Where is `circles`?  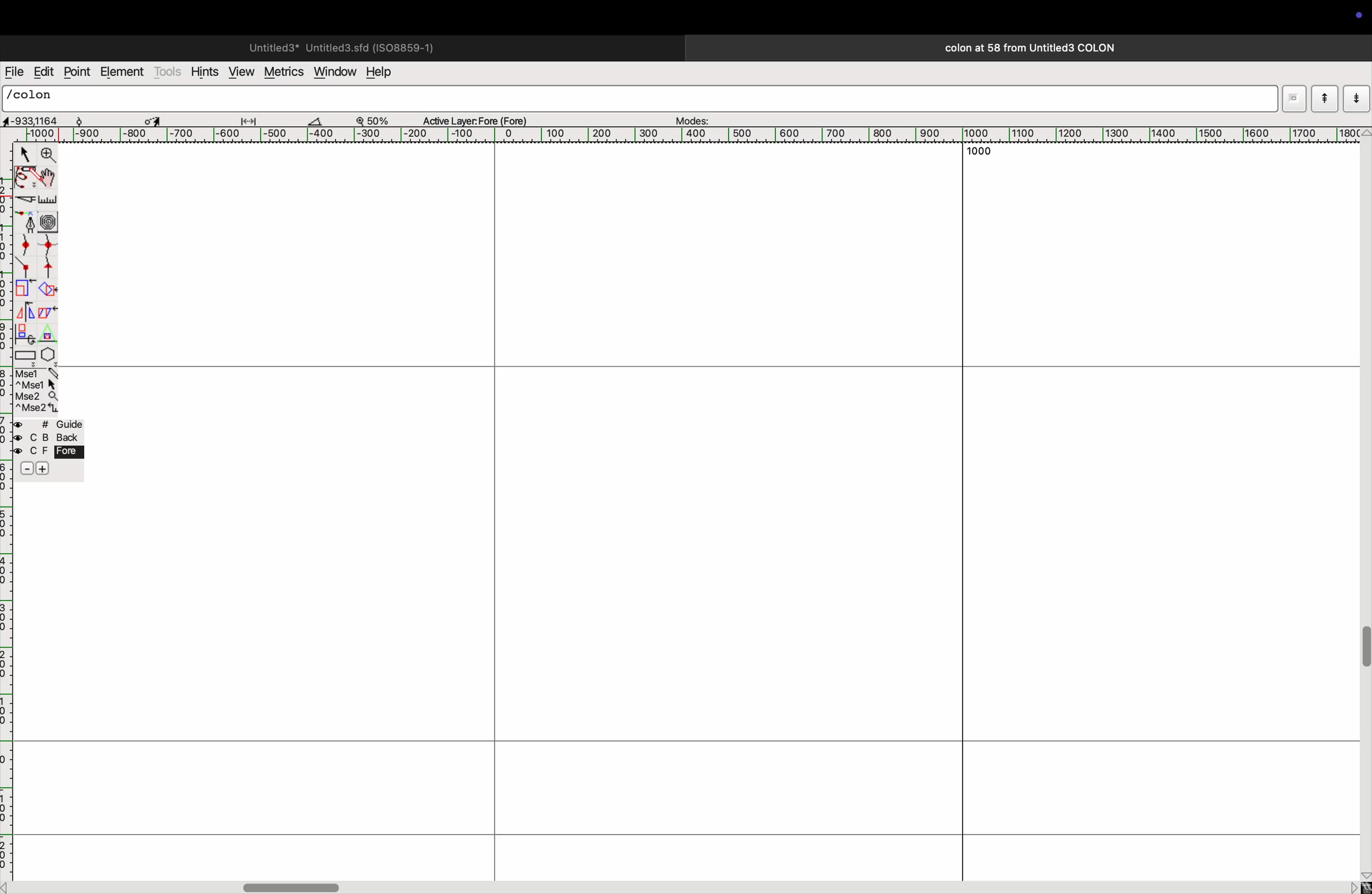 circles is located at coordinates (51, 220).